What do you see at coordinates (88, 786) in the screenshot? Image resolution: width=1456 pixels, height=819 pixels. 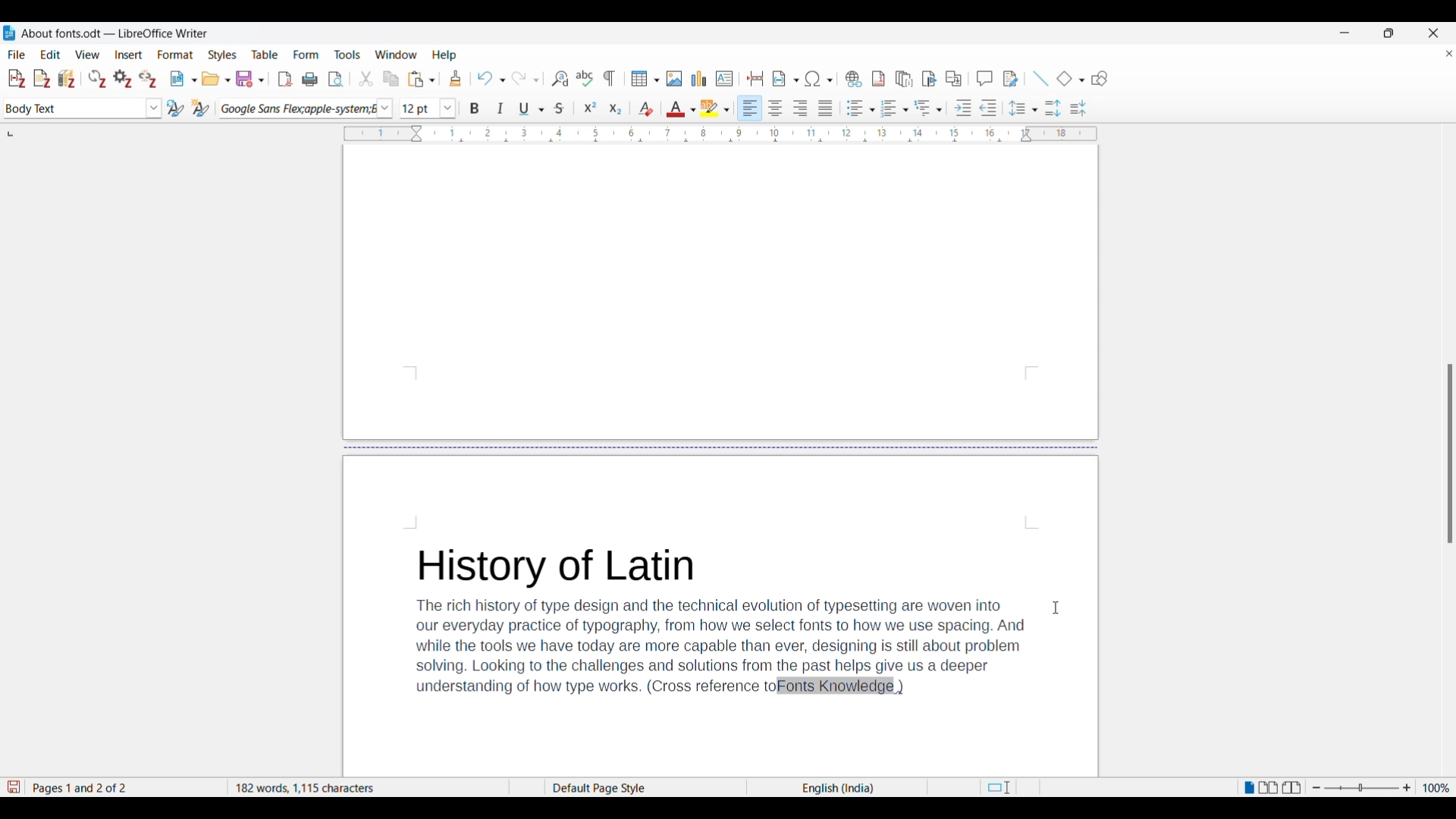 I see `Page 1 and 2 of 2` at bounding box center [88, 786].